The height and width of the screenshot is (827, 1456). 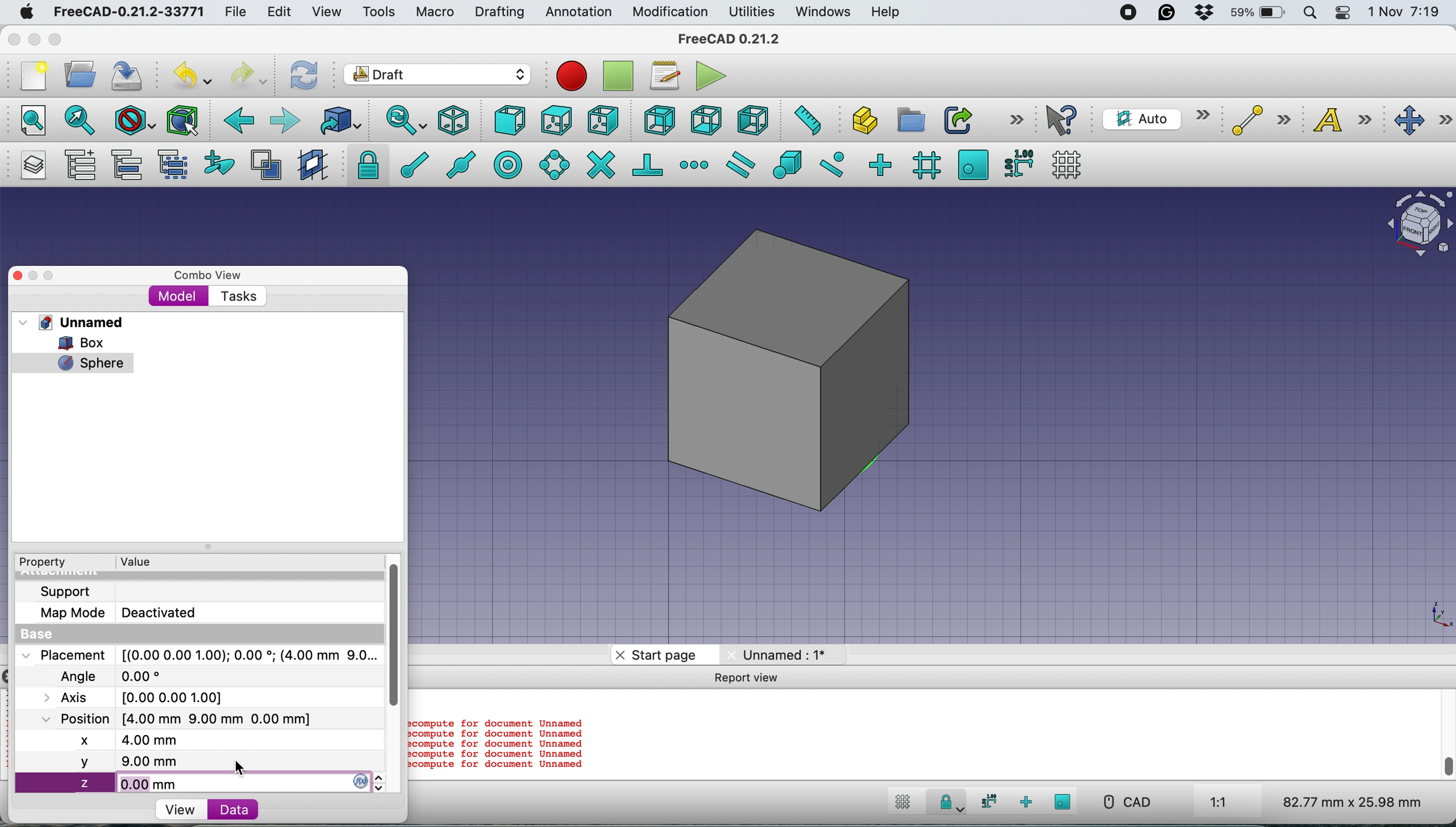 I want to click on placement, so click(x=198, y=654).